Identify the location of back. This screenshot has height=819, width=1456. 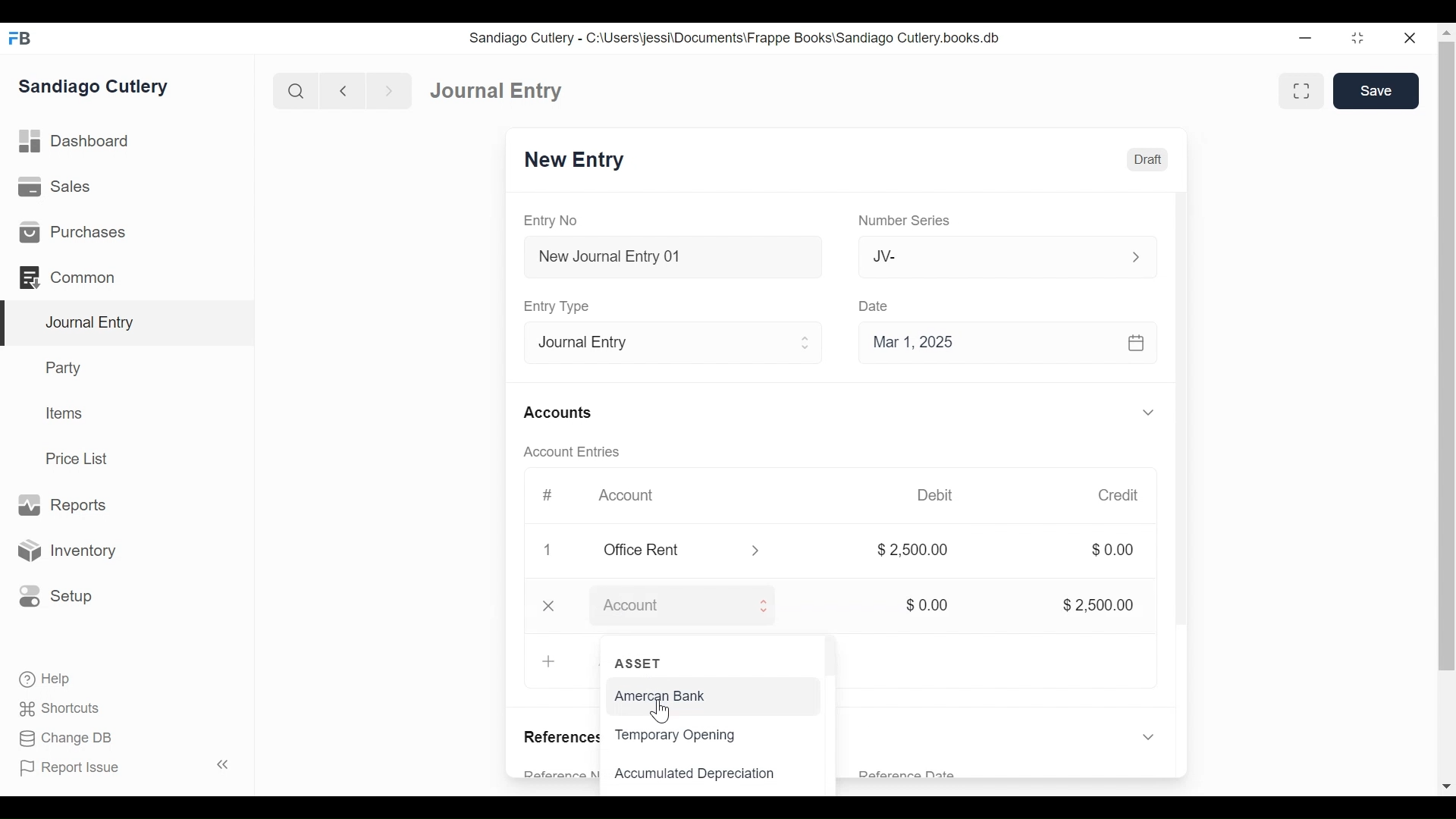
(343, 89).